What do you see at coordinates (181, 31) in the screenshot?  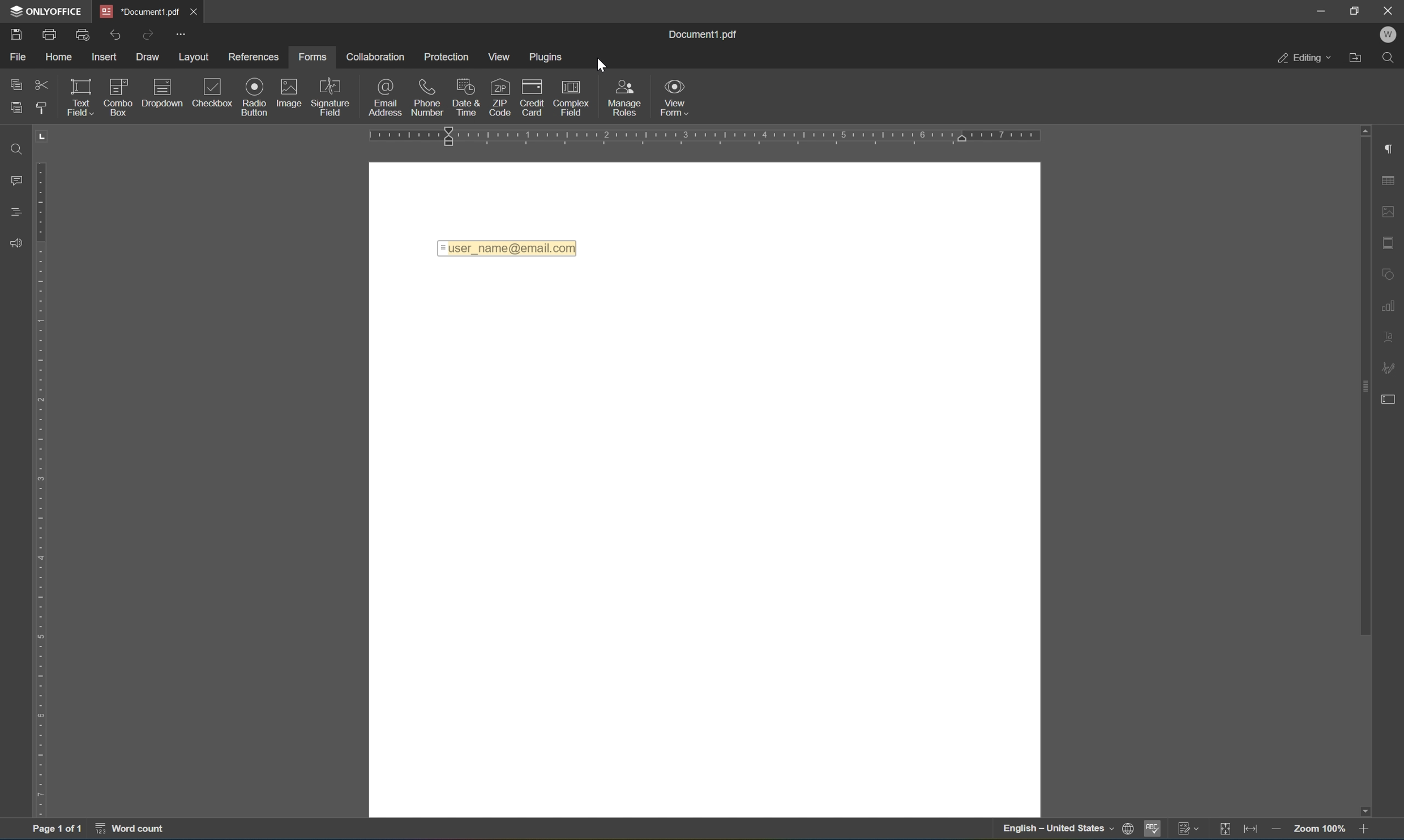 I see `customize quick access toolbar` at bounding box center [181, 31].